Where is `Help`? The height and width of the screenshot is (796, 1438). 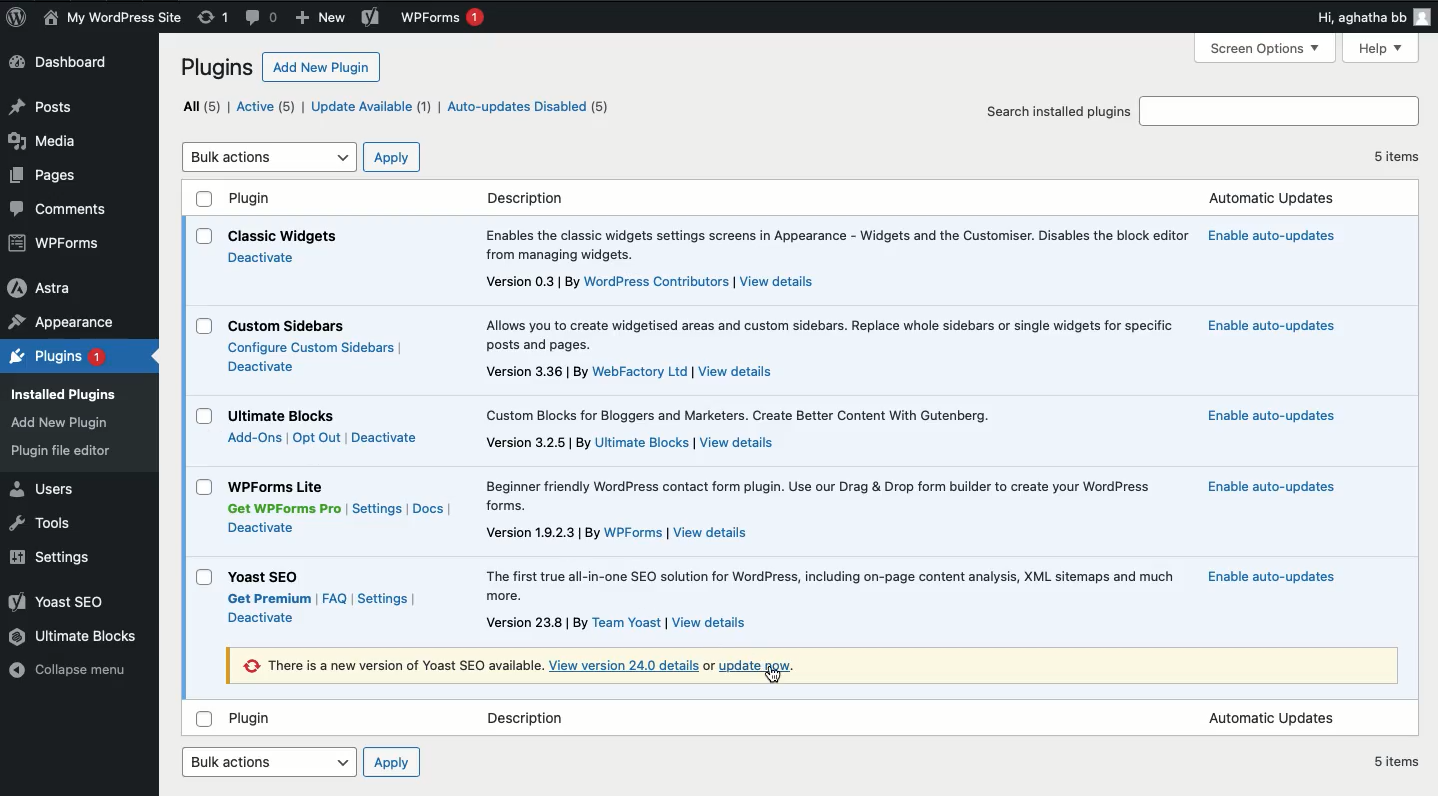
Help is located at coordinates (1384, 48).